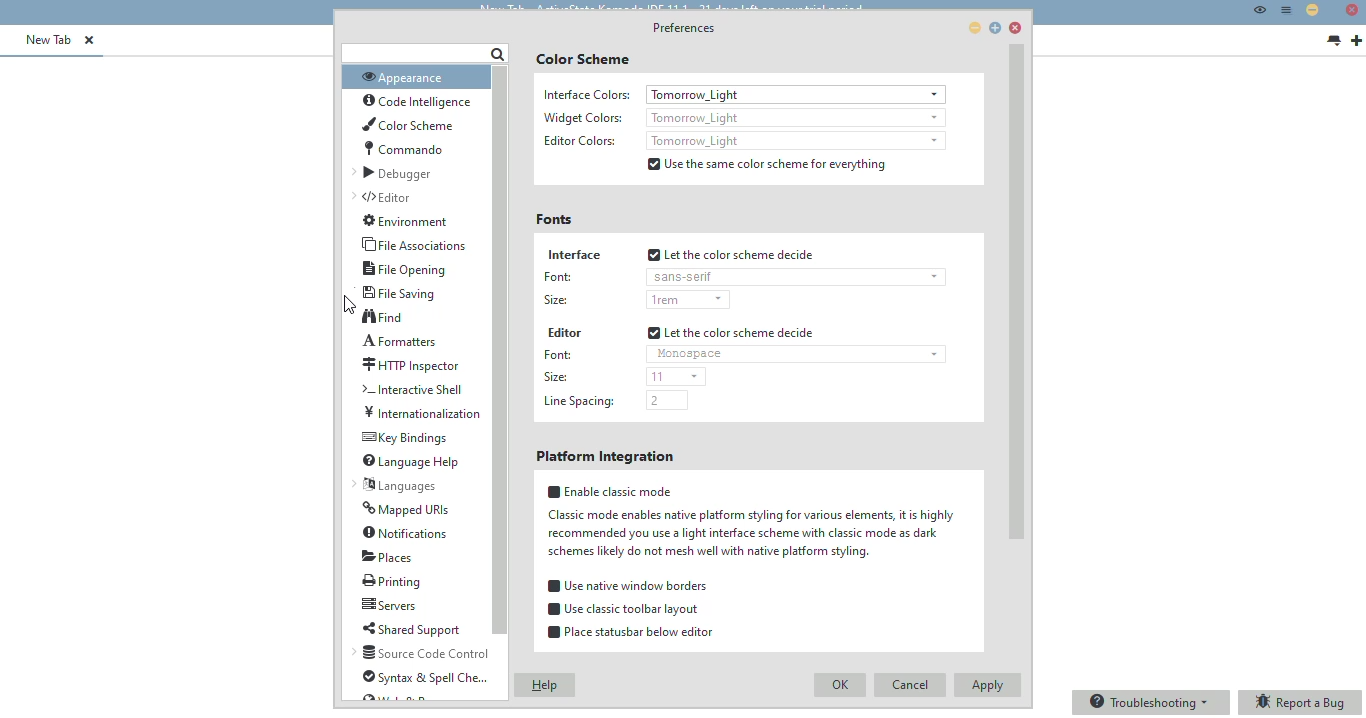  Describe the element at coordinates (545, 685) in the screenshot. I see `help` at that location.